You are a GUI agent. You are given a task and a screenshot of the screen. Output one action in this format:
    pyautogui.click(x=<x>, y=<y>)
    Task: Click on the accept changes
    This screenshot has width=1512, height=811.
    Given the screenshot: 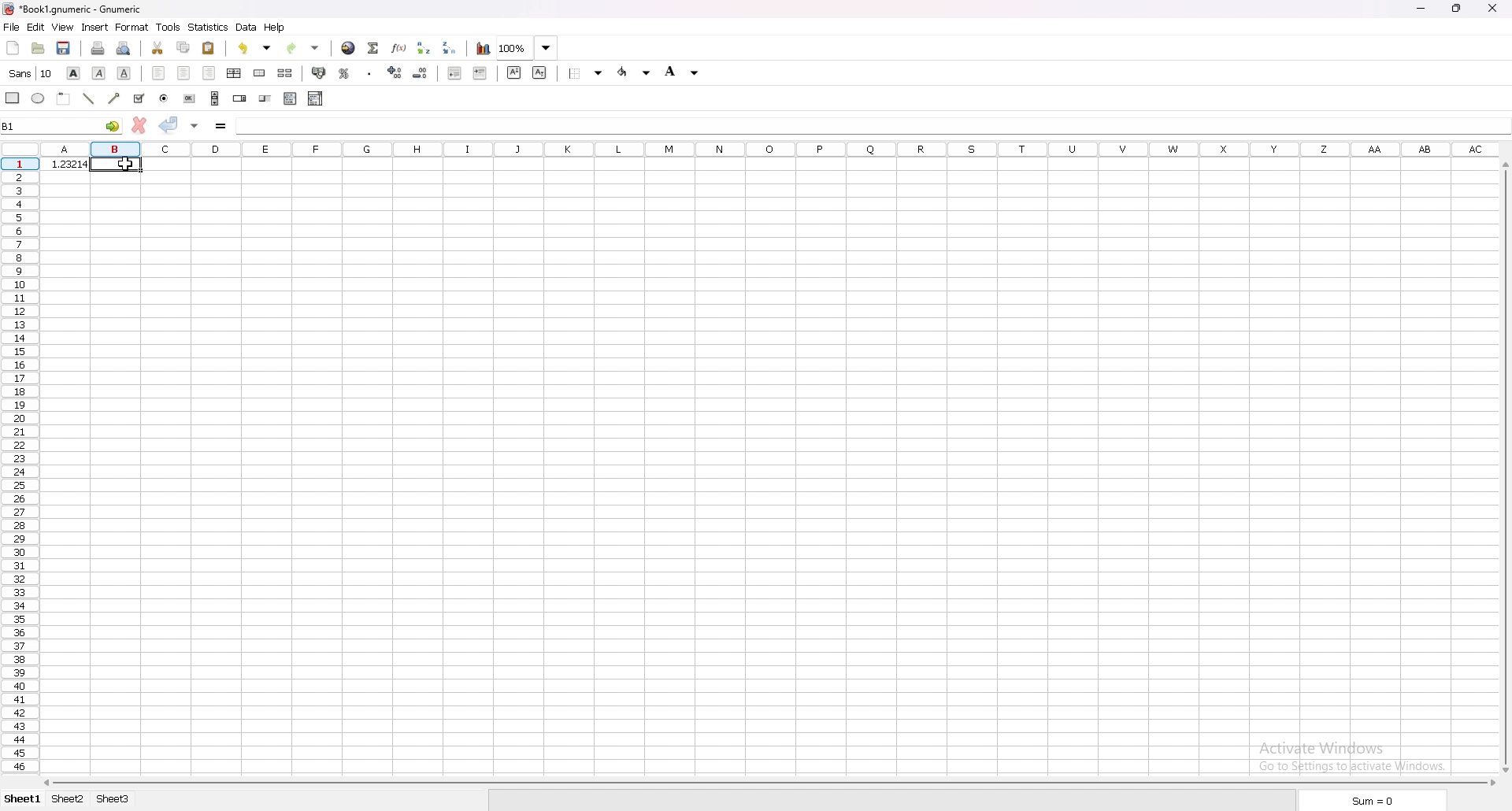 What is the action you would take?
    pyautogui.click(x=169, y=125)
    